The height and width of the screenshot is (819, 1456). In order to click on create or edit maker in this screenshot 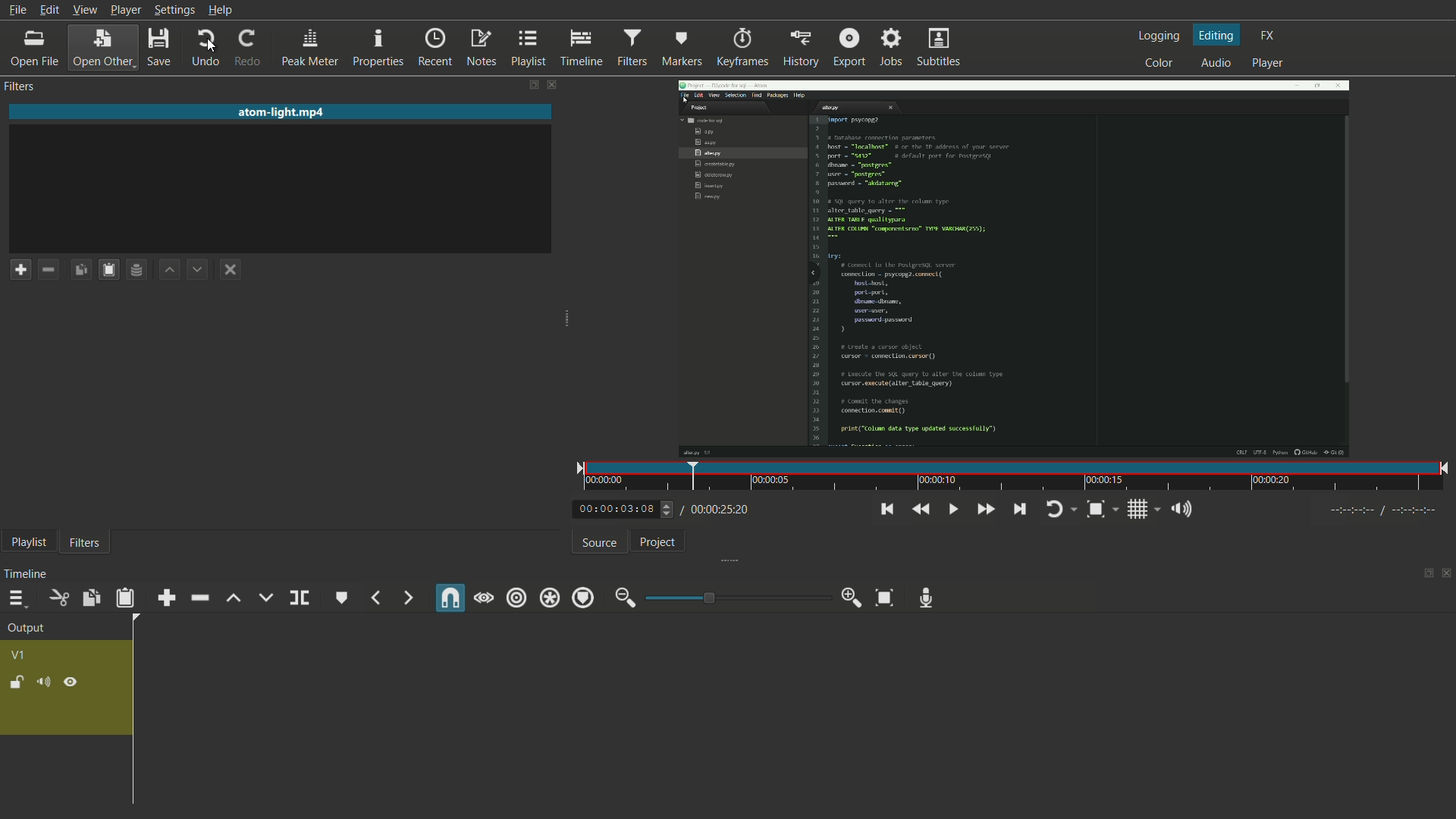, I will do `click(341, 600)`.